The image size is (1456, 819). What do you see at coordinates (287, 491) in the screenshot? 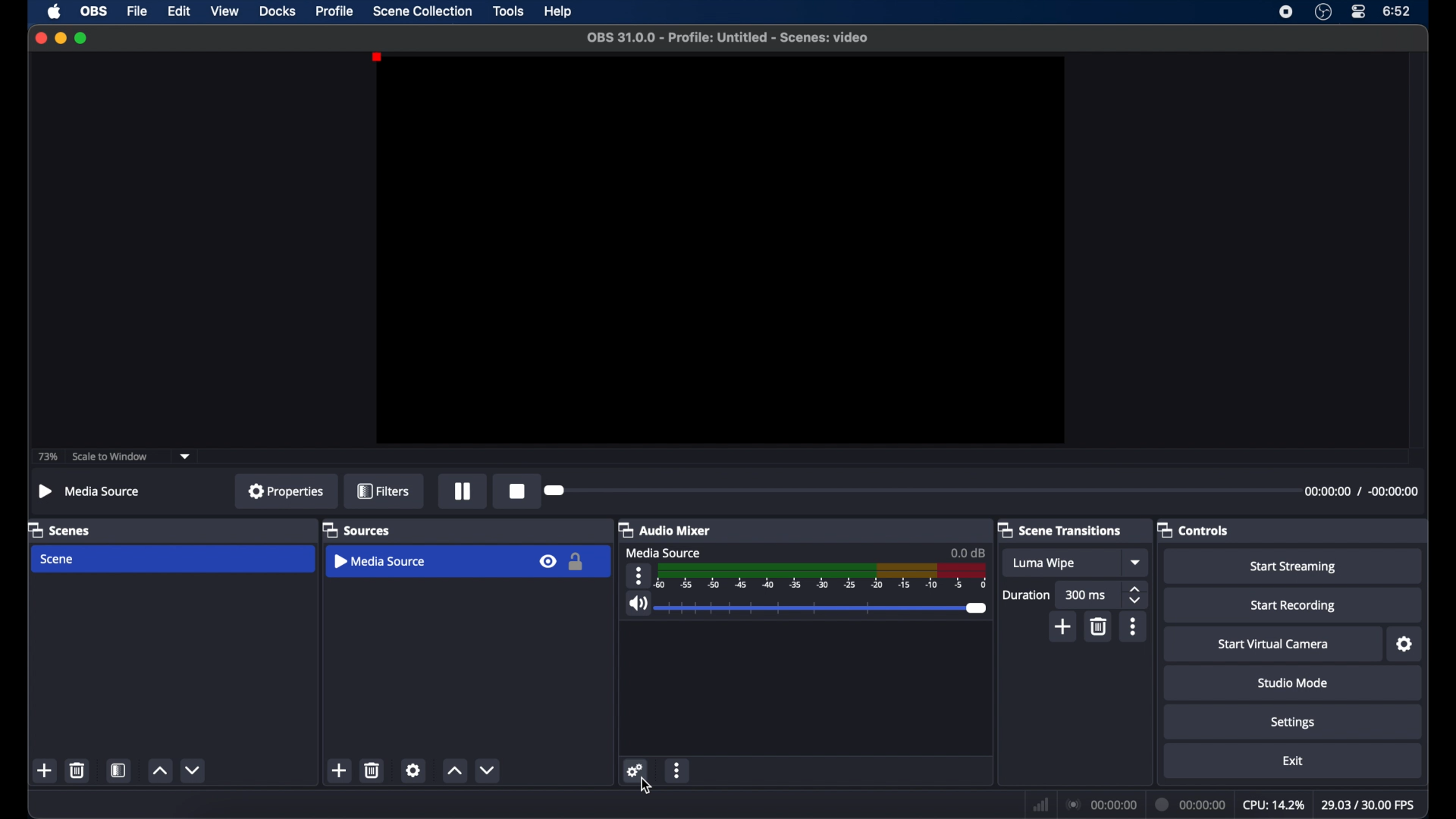
I see `properties` at bounding box center [287, 491].